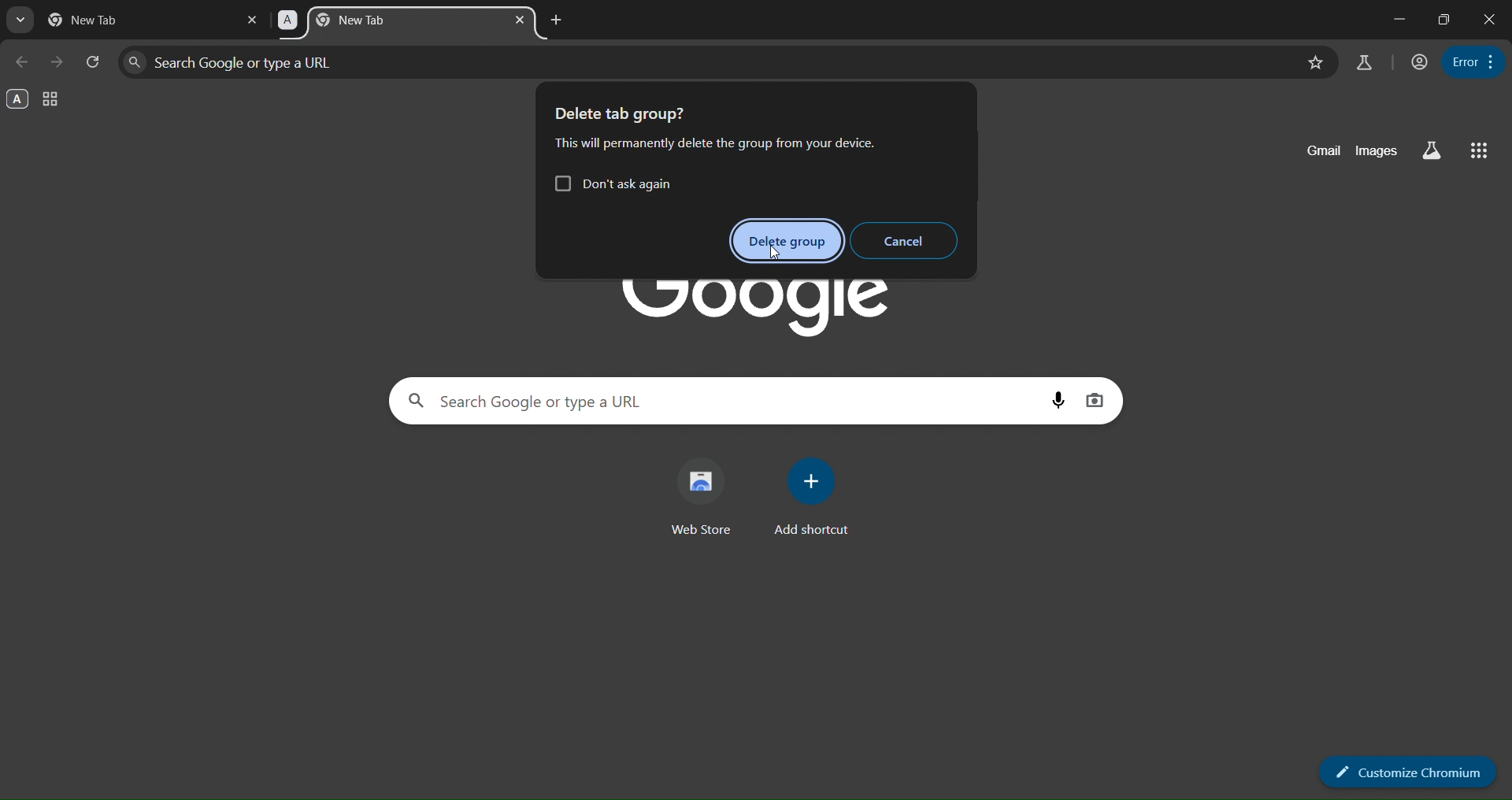 Image resolution: width=1512 pixels, height=800 pixels. Describe the element at coordinates (1490, 17) in the screenshot. I see `close` at that location.